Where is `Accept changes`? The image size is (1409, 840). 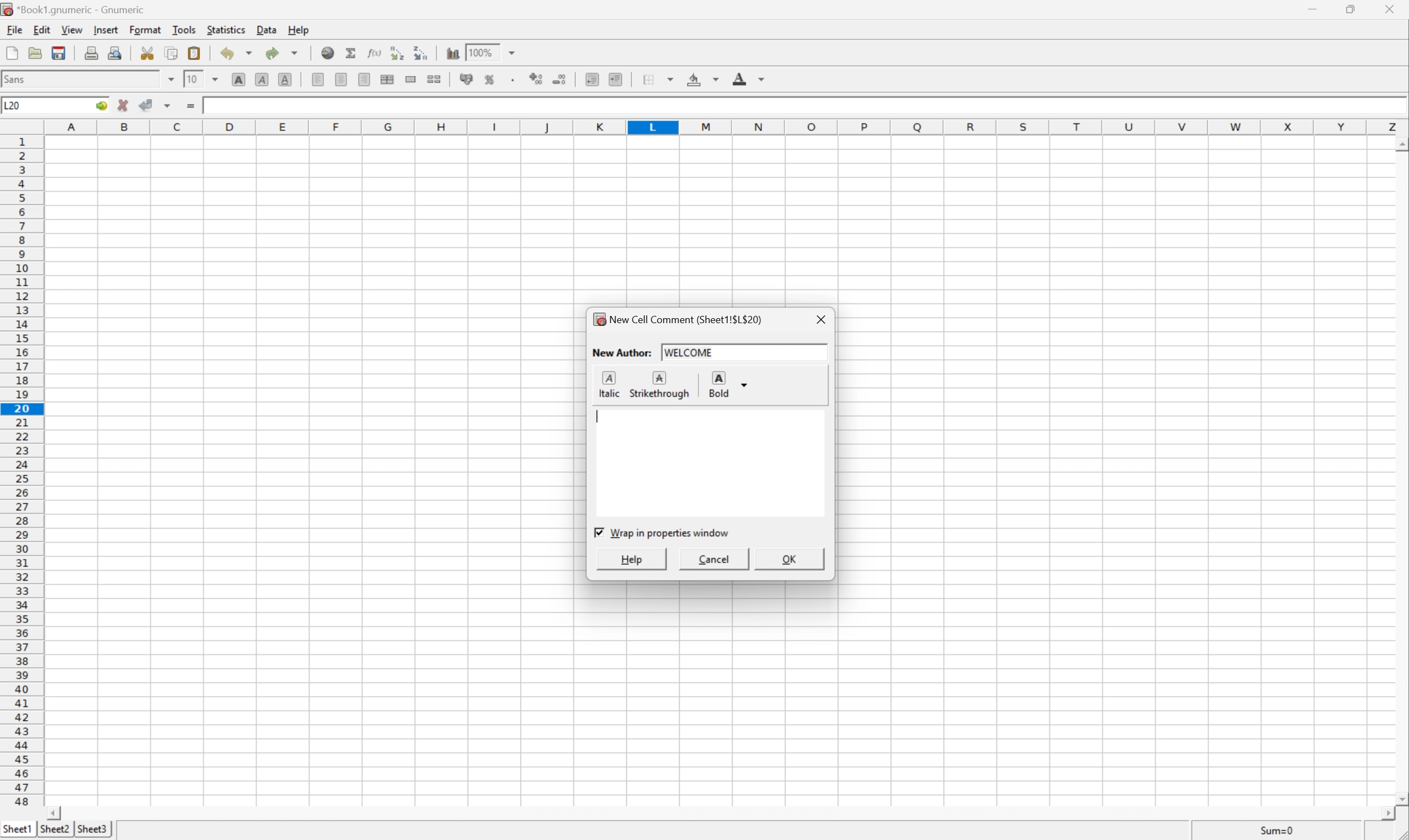 Accept changes is located at coordinates (146, 106).